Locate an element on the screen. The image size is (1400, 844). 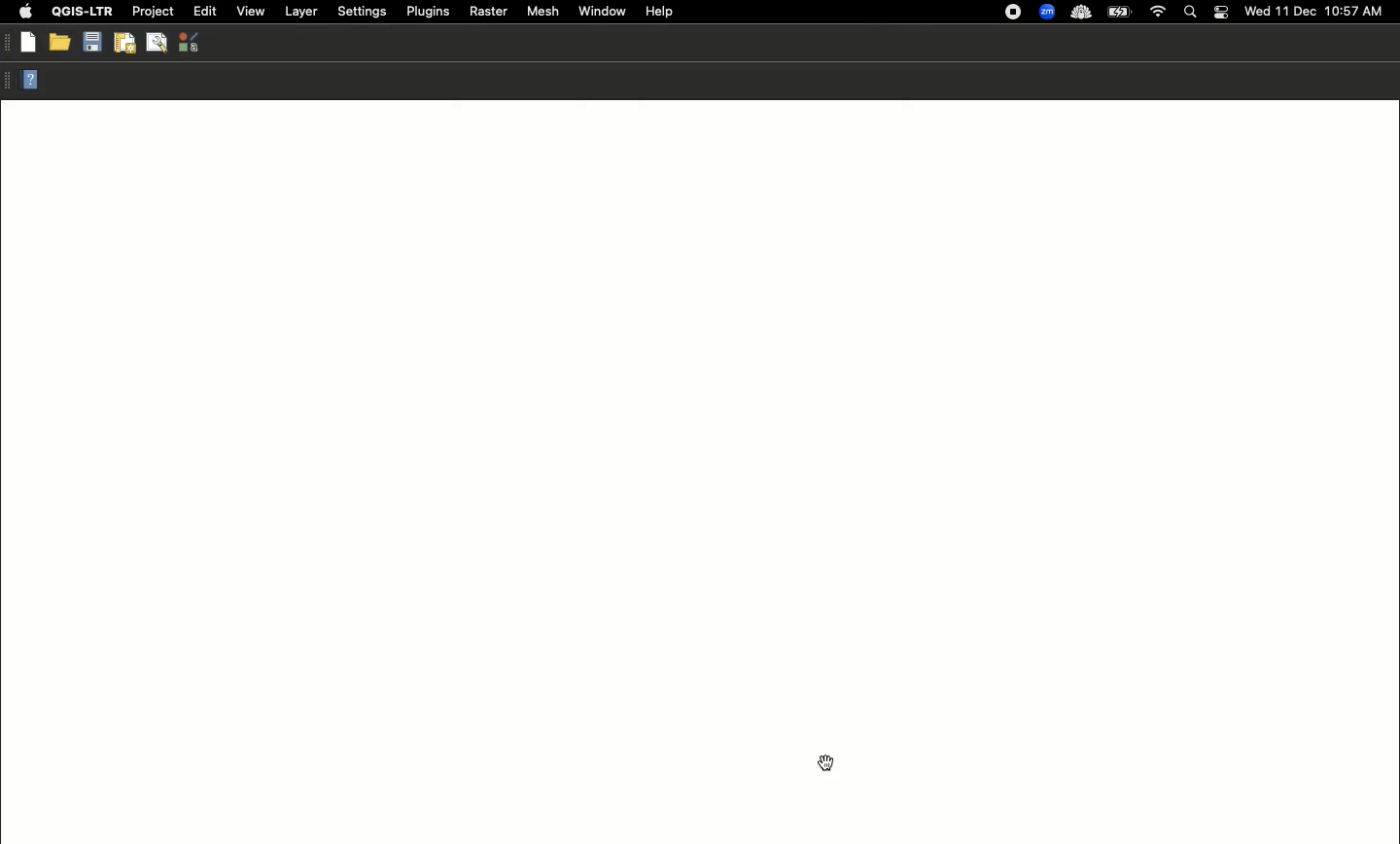
Window is located at coordinates (601, 11).